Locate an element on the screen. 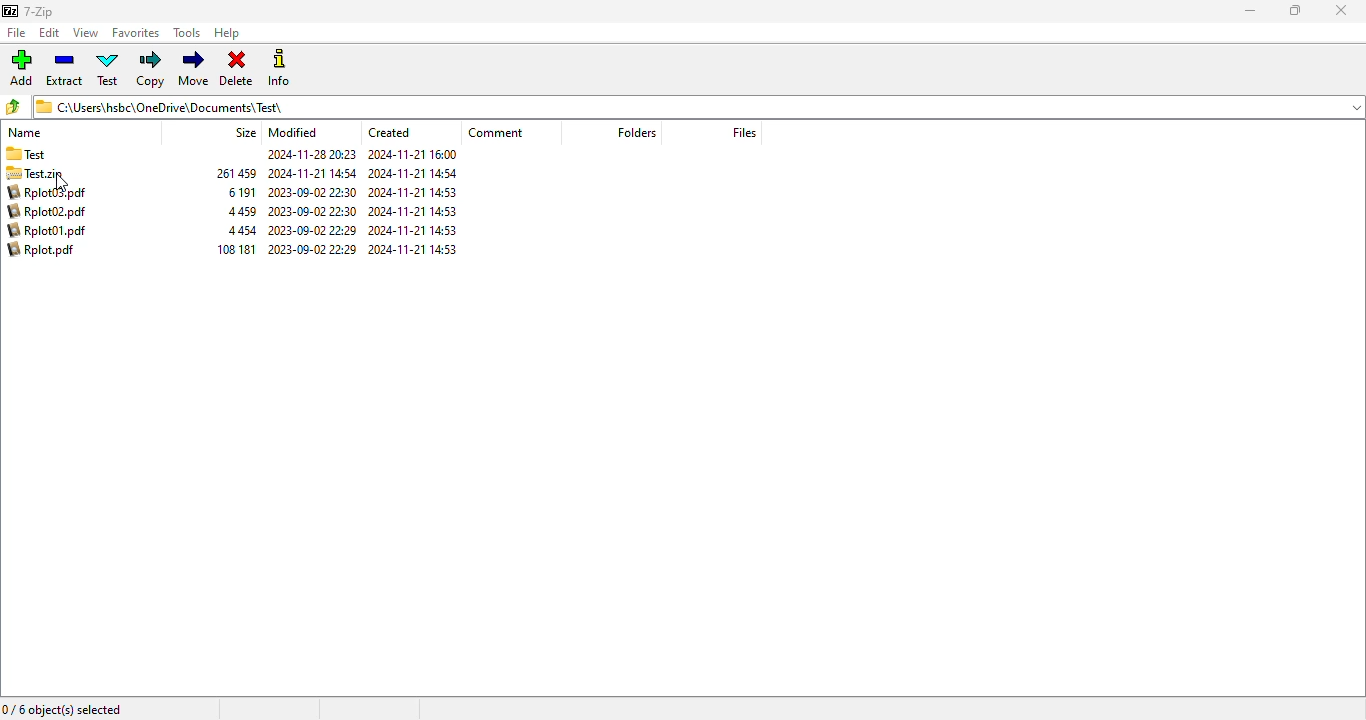 This screenshot has width=1366, height=720. view is located at coordinates (85, 32).